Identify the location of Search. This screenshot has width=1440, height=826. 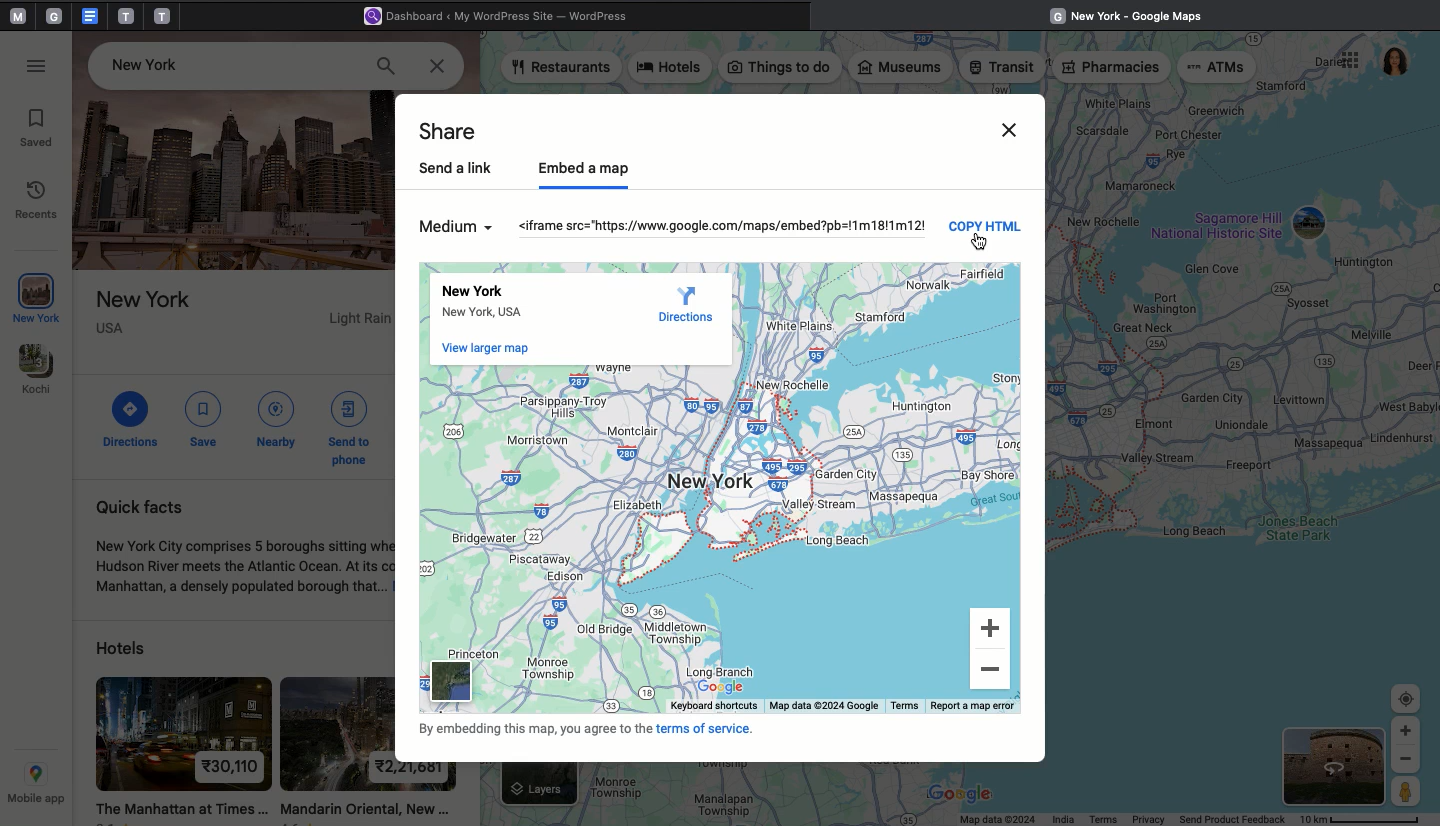
(386, 66).